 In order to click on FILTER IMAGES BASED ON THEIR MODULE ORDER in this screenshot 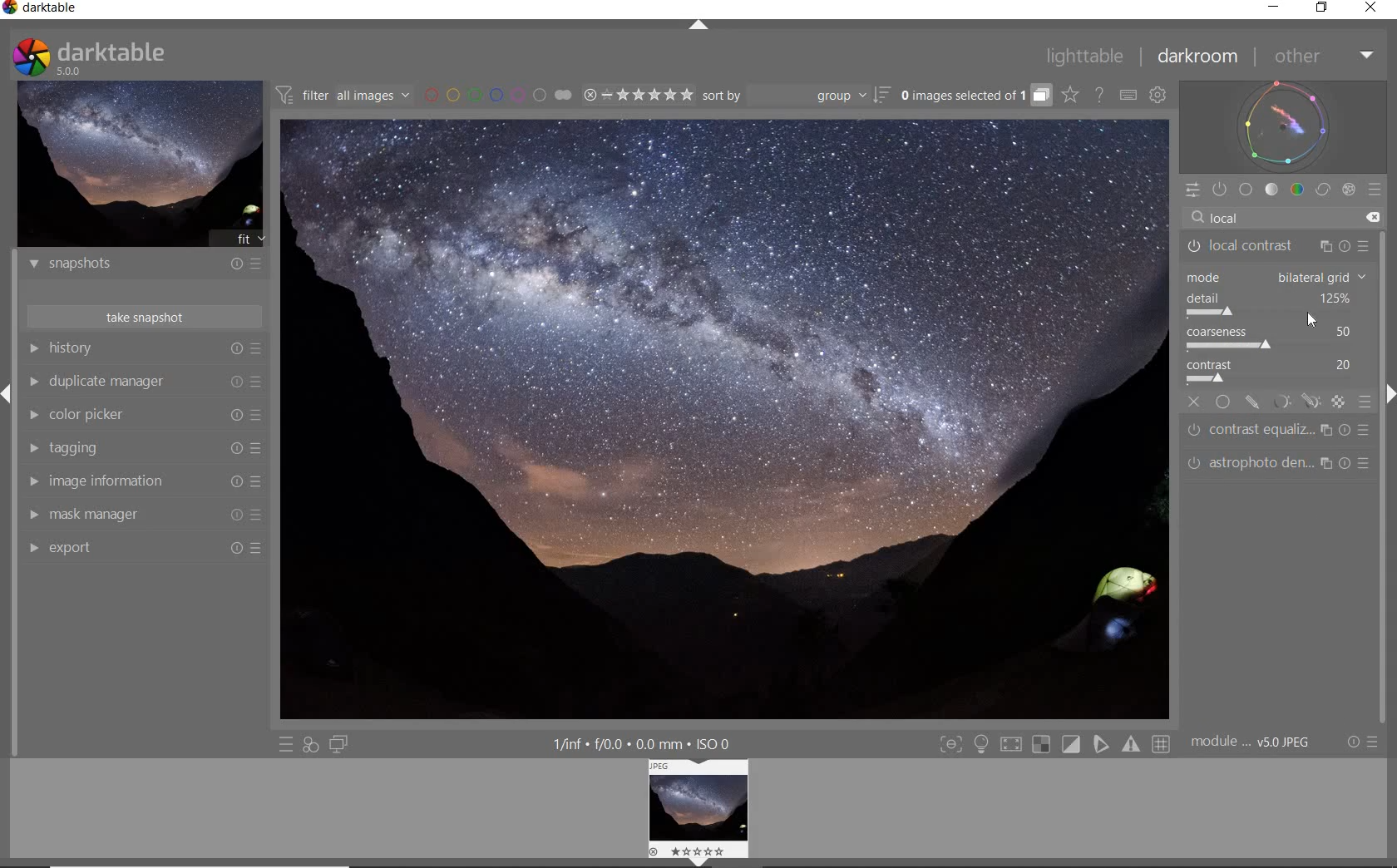, I will do `click(343, 95)`.